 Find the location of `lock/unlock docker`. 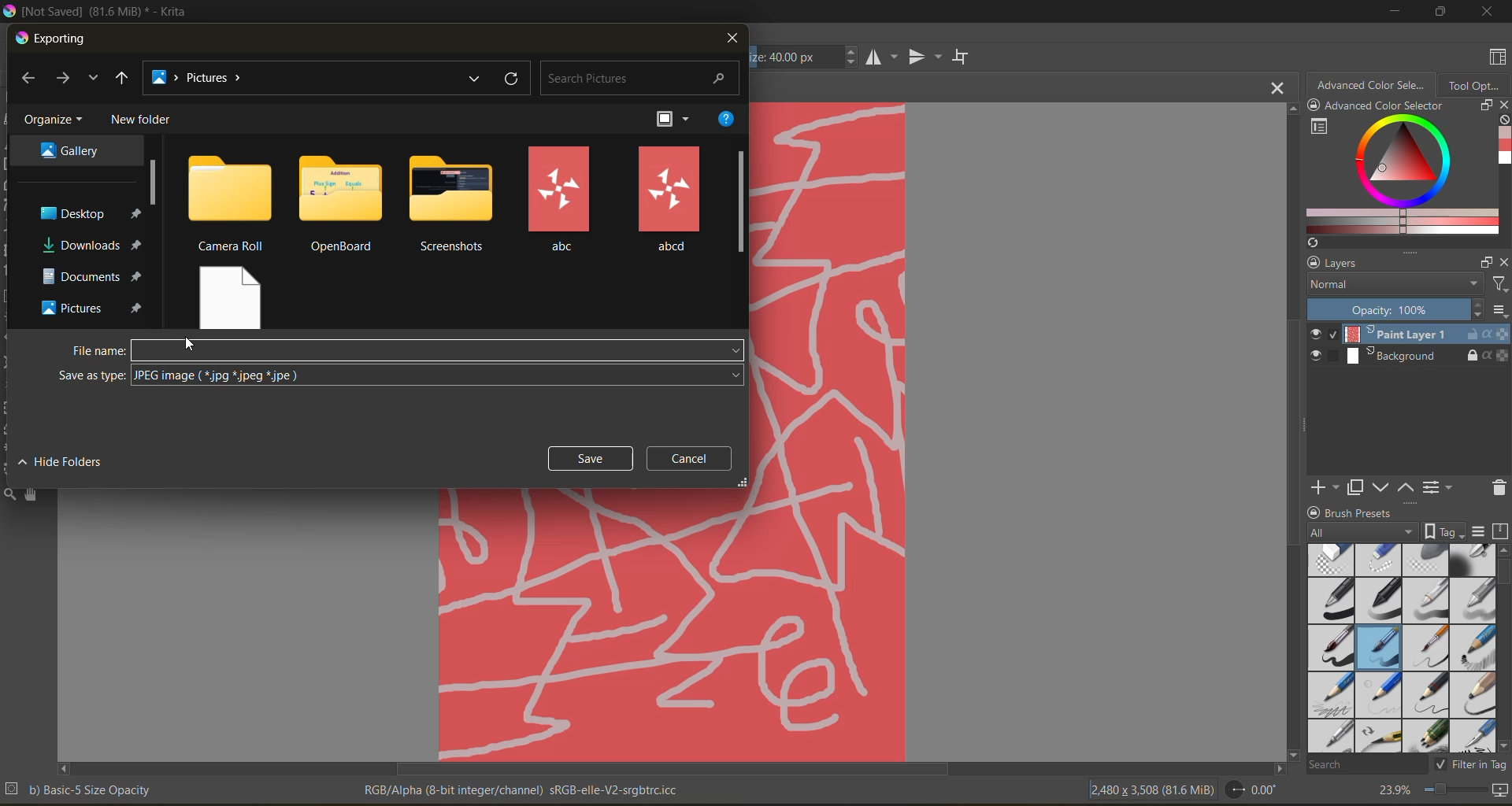

lock/unlock docker is located at coordinates (1310, 263).